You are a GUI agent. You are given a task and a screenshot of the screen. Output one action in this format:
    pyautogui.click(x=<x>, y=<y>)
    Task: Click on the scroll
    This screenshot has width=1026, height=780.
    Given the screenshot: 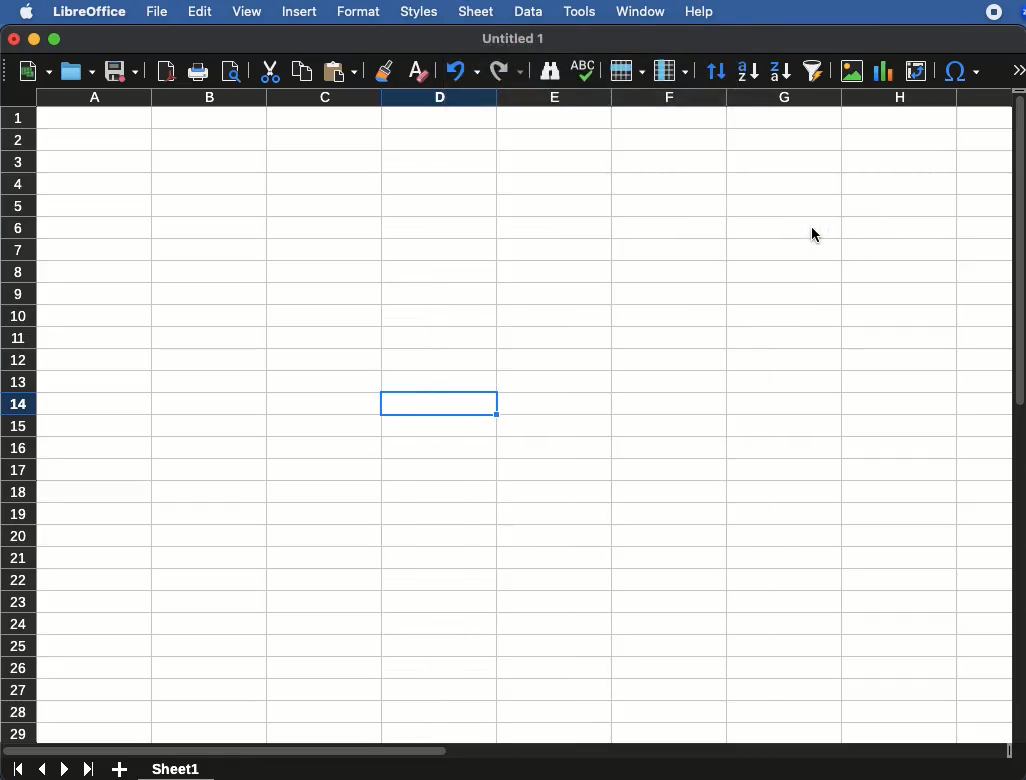 What is the action you would take?
    pyautogui.click(x=507, y=750)
    